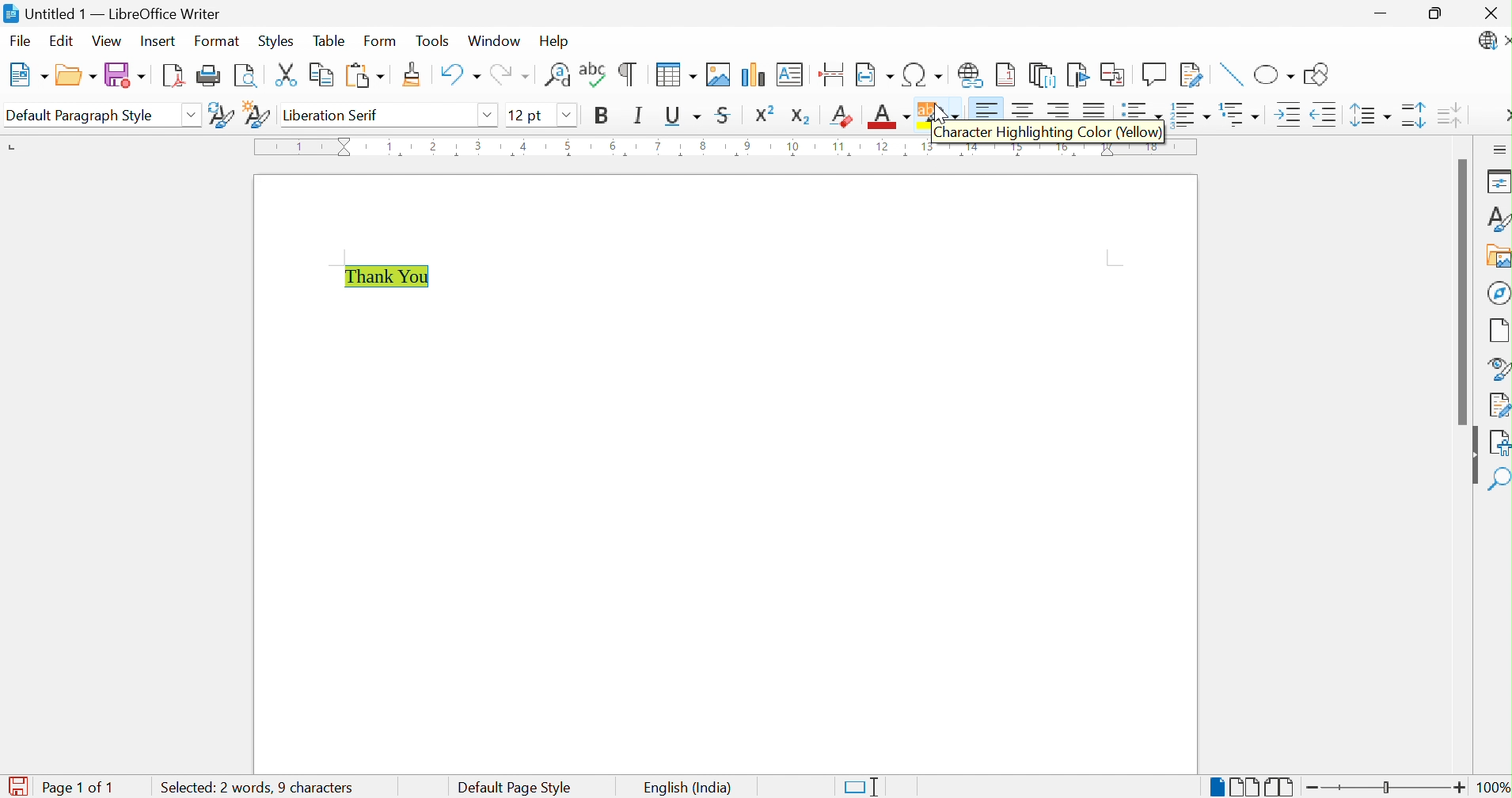 This screenshot has width=1512, height=798. I want to click on Window, so click(495, 41).